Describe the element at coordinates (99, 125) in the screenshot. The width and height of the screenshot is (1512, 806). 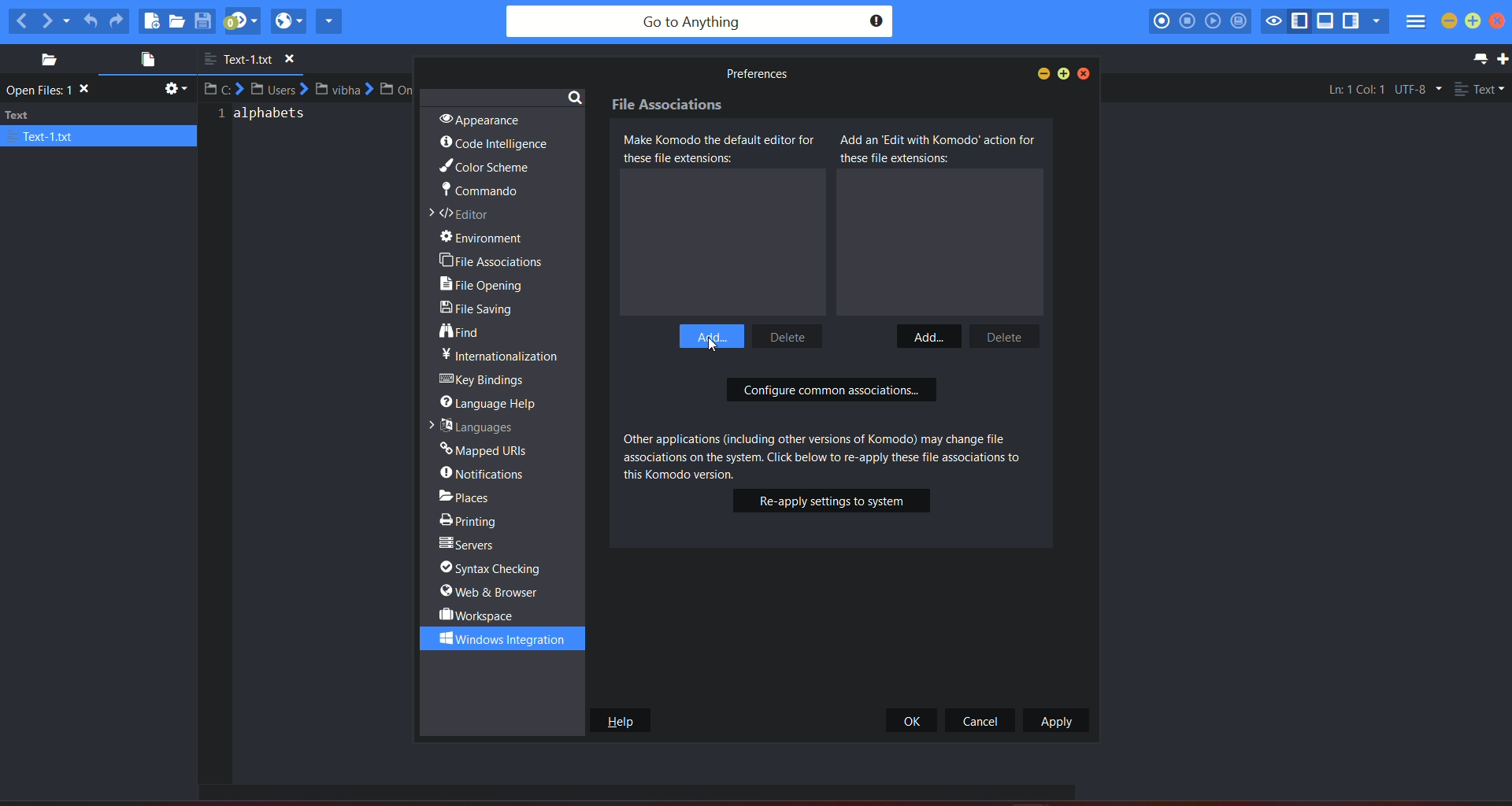
I see `text` at that location.